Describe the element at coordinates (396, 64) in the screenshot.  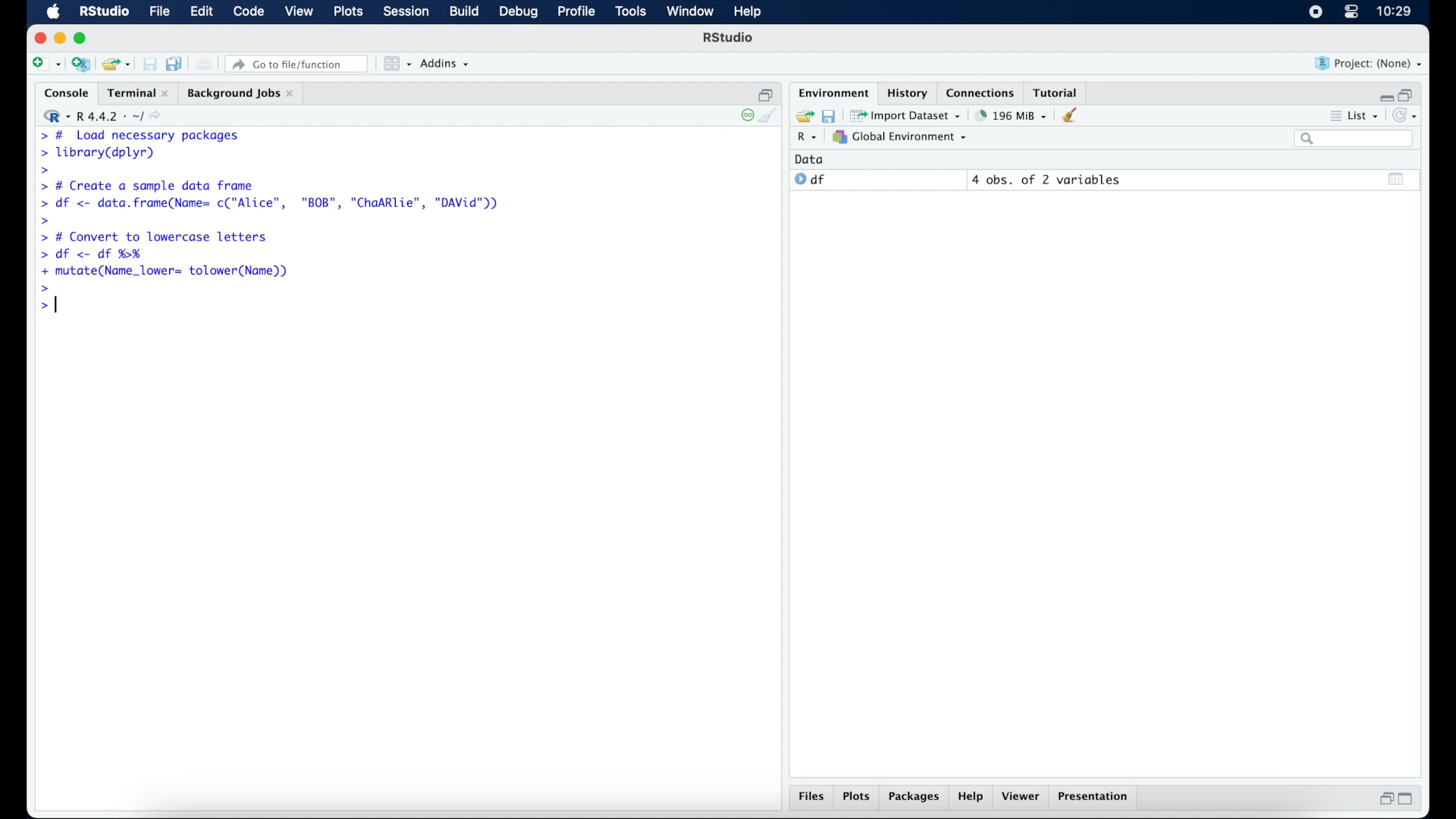
I see `workspace panes` at that location.